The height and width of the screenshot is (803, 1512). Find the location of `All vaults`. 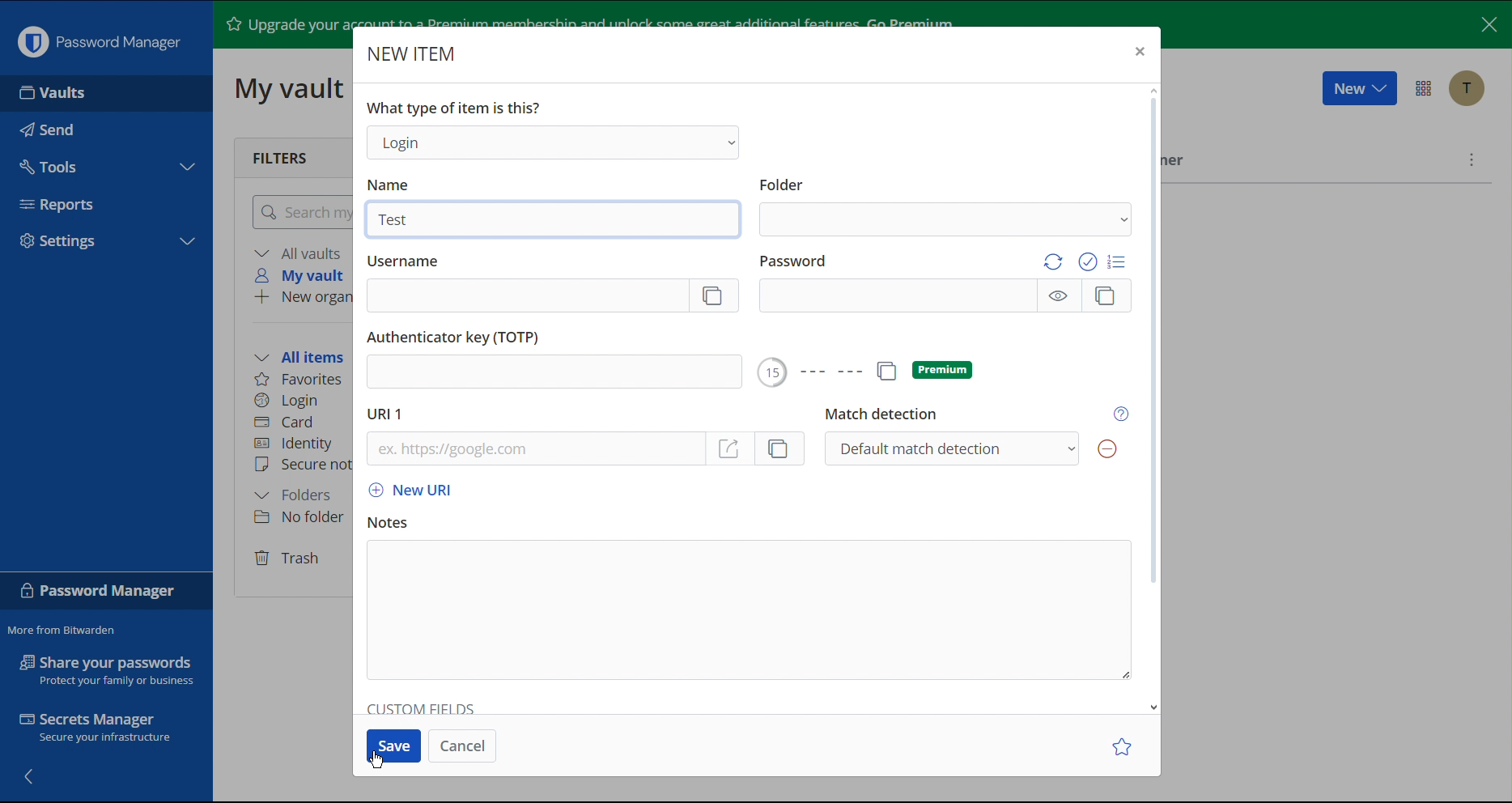

All vaults is located at coordinates (301, 253).